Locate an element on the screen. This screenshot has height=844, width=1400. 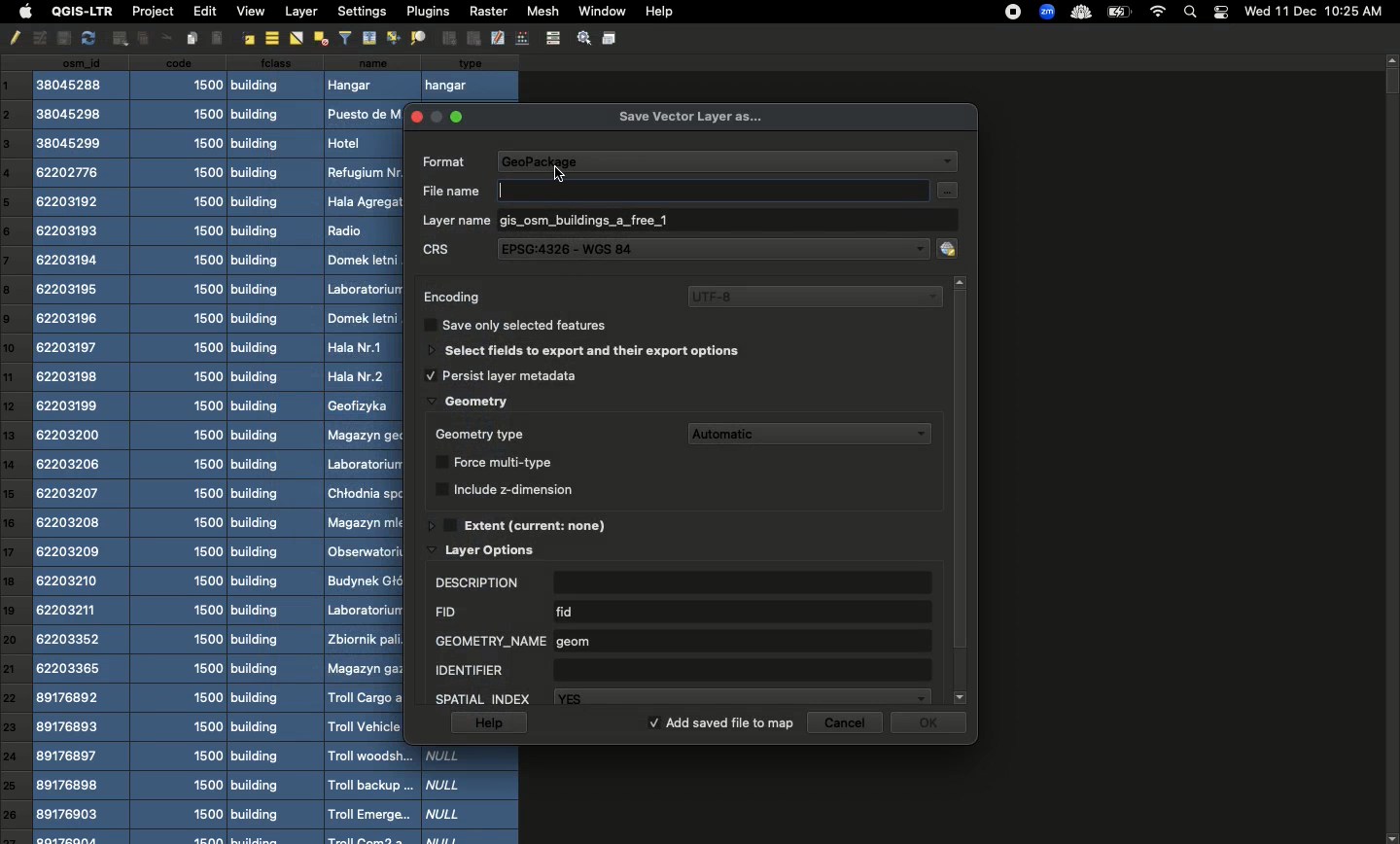
Pencil is located at coordinates (13, 38).